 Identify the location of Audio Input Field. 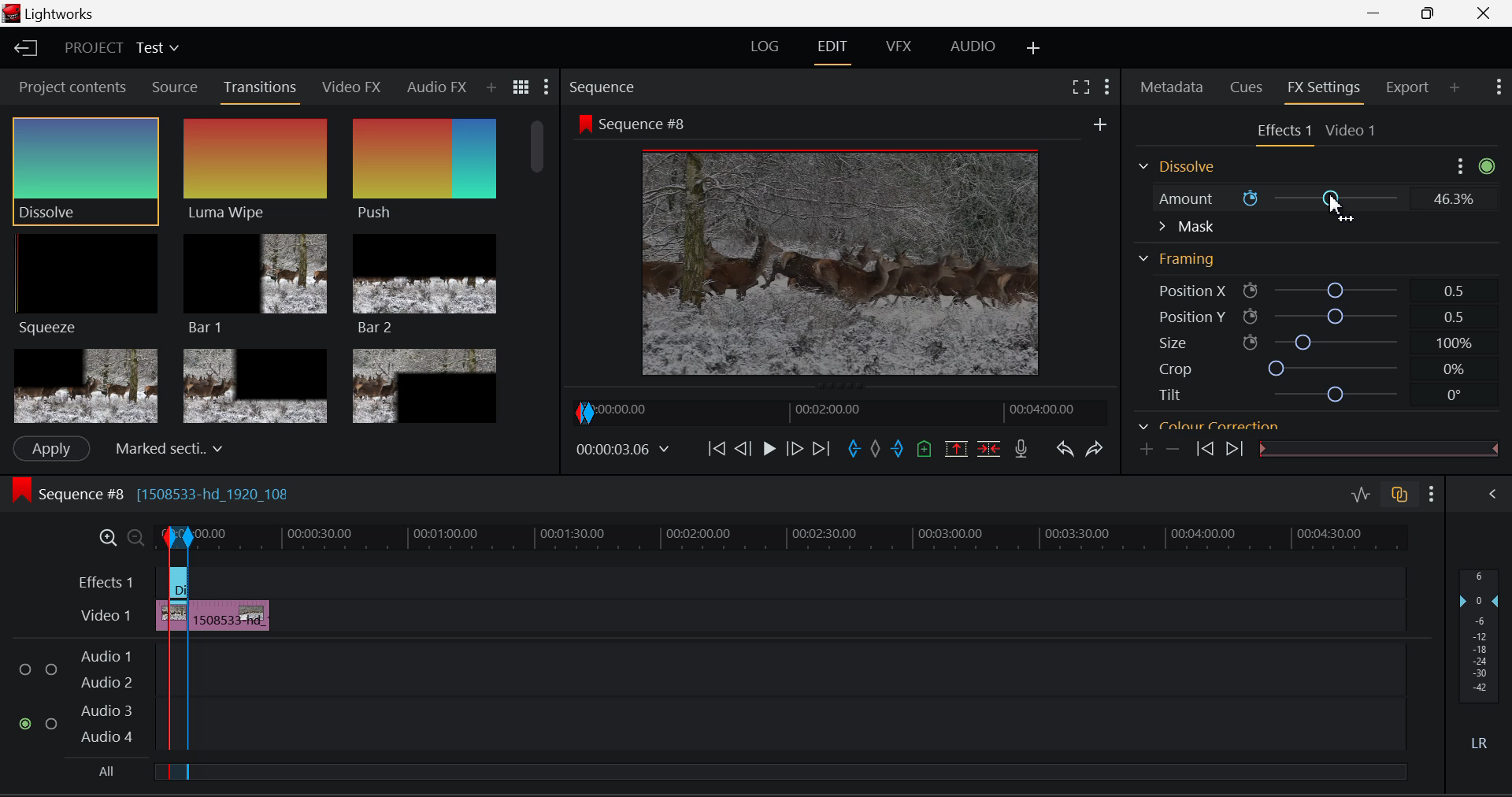
(798, 662).